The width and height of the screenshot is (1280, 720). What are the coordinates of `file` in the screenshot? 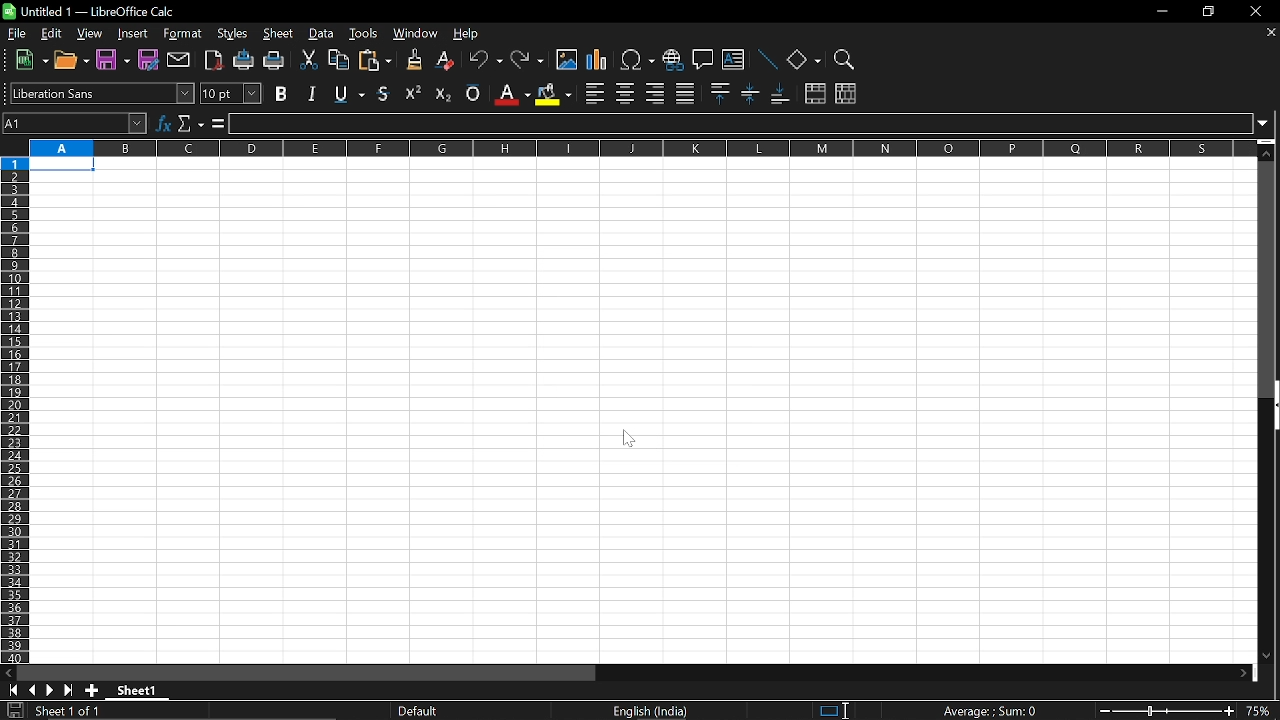 It's located at (18, 34).